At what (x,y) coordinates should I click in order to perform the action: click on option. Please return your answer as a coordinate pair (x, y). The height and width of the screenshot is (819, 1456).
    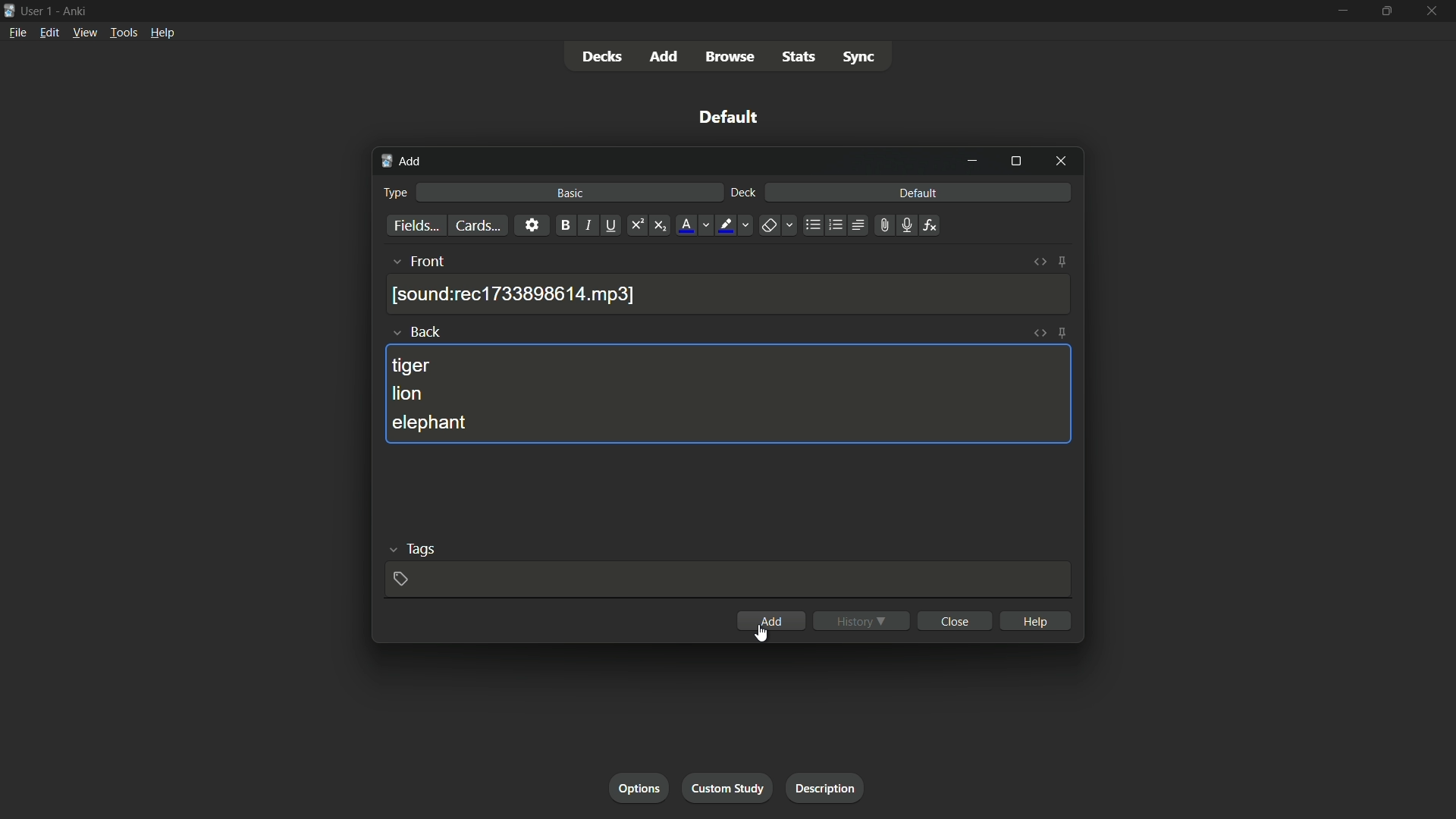
    Looking at the image, I should click on (639, 787).